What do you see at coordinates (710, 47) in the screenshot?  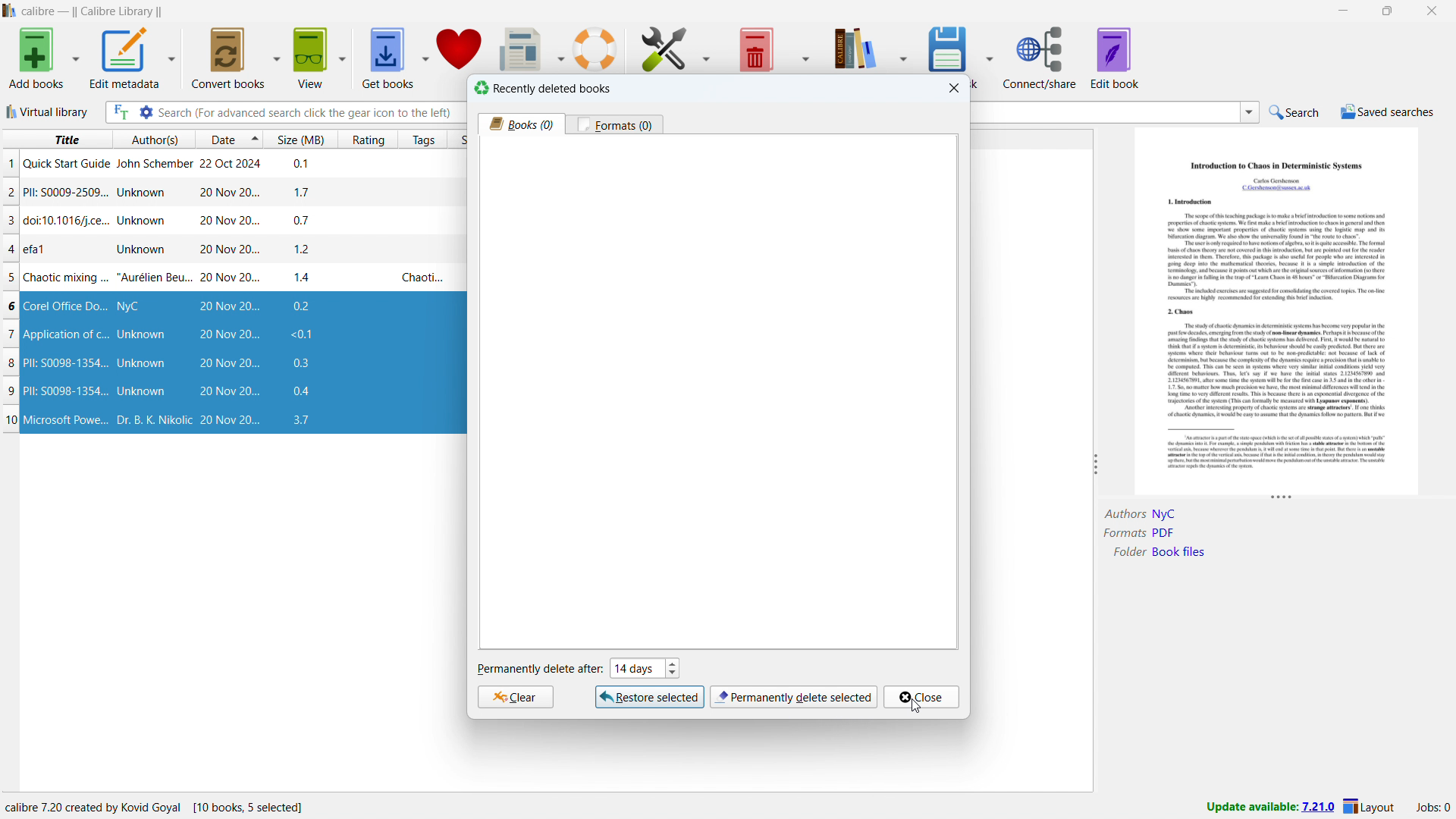 I see `preferences options` at bounding box center [710, 47].